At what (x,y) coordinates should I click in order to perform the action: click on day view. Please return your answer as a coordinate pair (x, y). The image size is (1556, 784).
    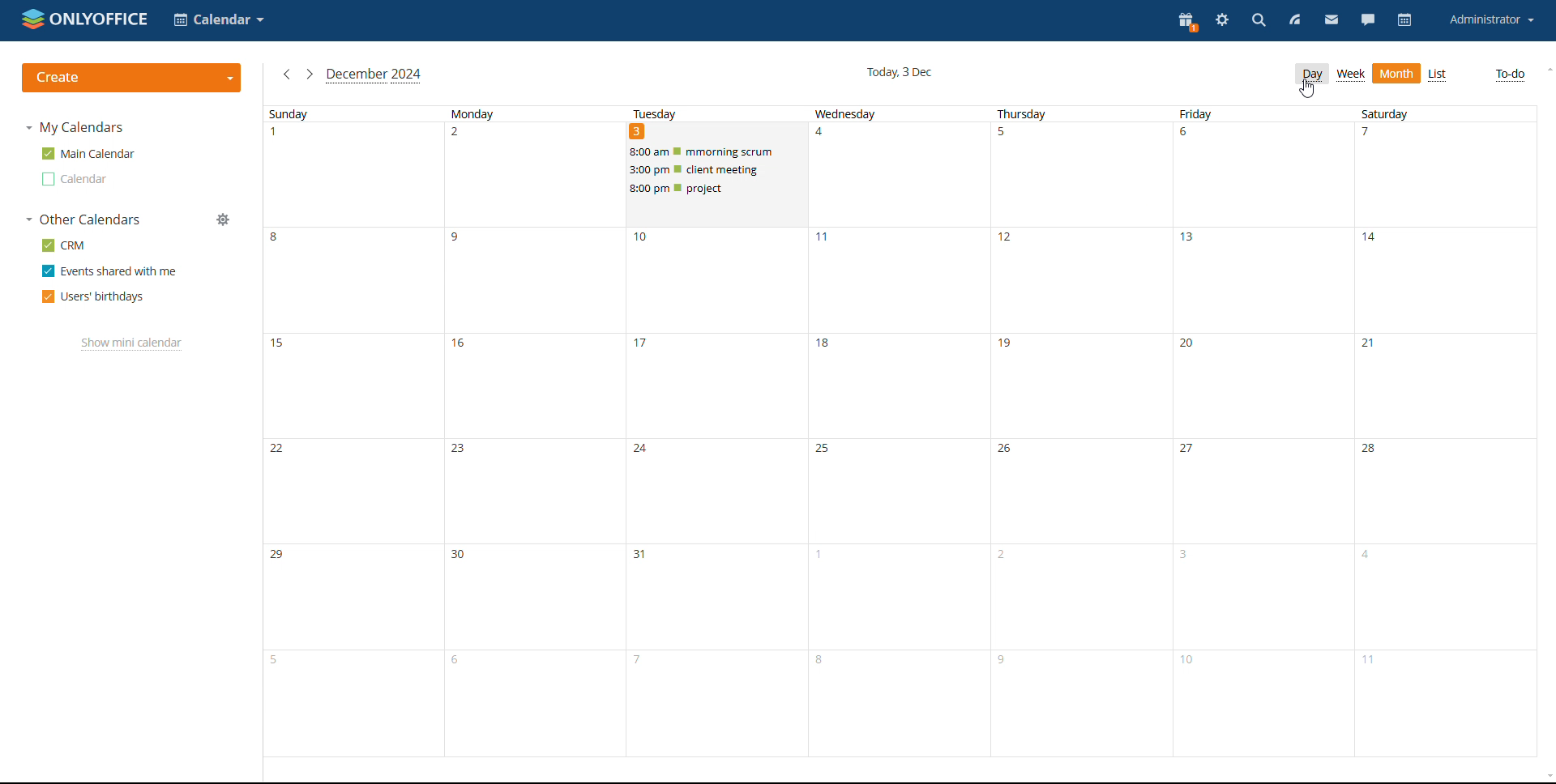
    Looking at the image, I should click on (1312, 74).